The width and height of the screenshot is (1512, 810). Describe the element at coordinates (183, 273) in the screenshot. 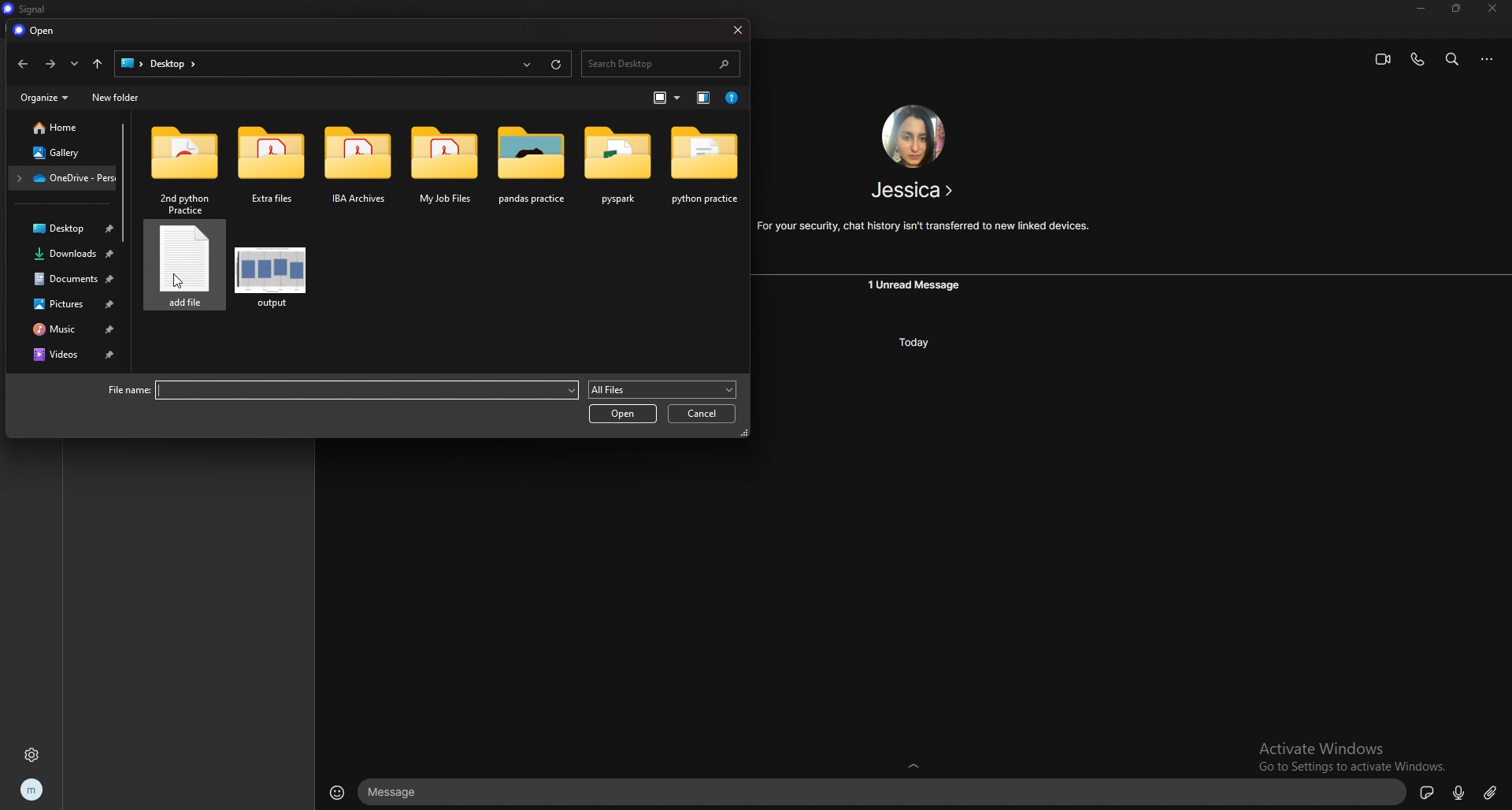

I see `file` at that location.